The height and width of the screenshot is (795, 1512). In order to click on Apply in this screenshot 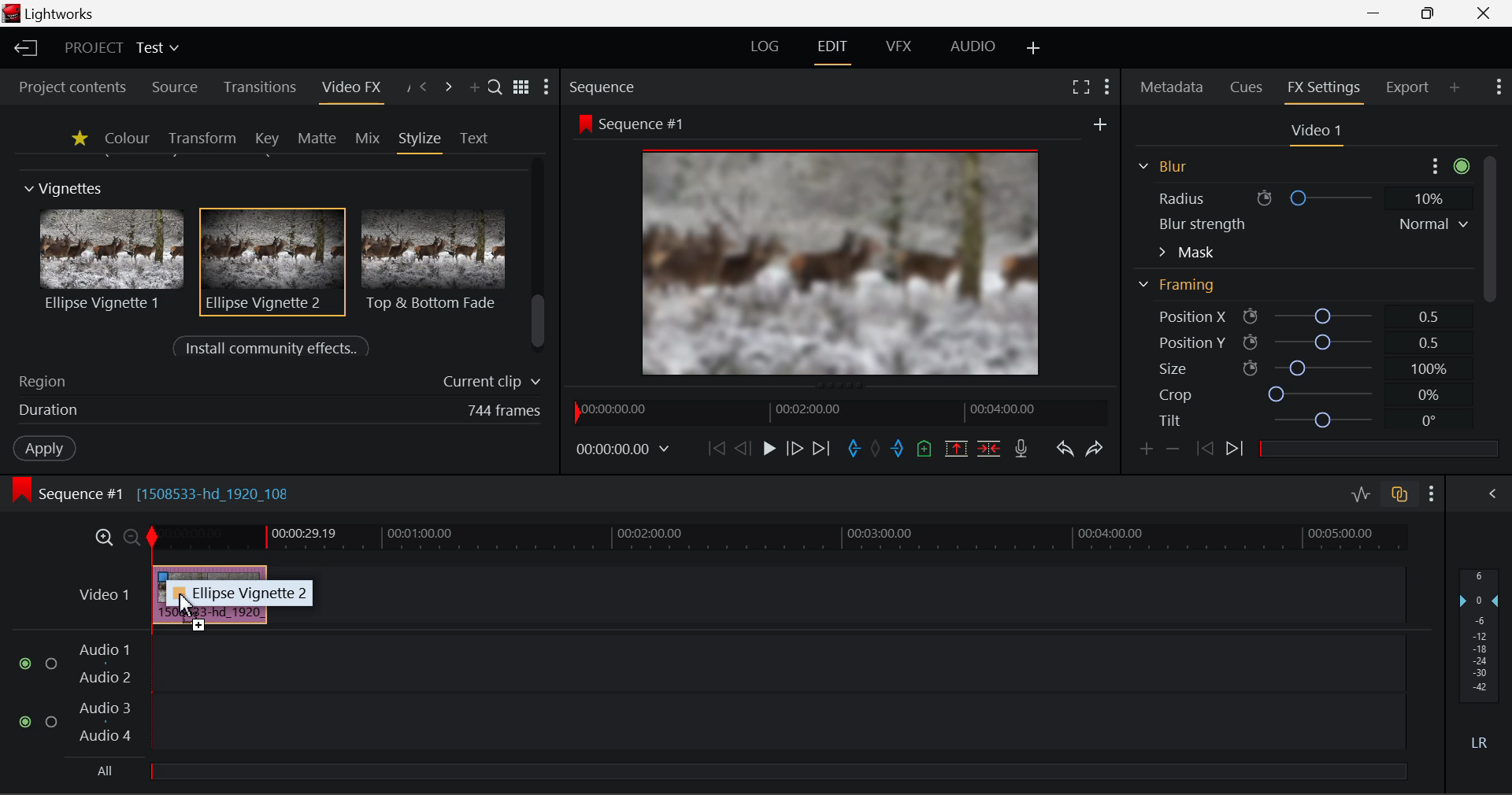, I will do `click(44, 450)`.